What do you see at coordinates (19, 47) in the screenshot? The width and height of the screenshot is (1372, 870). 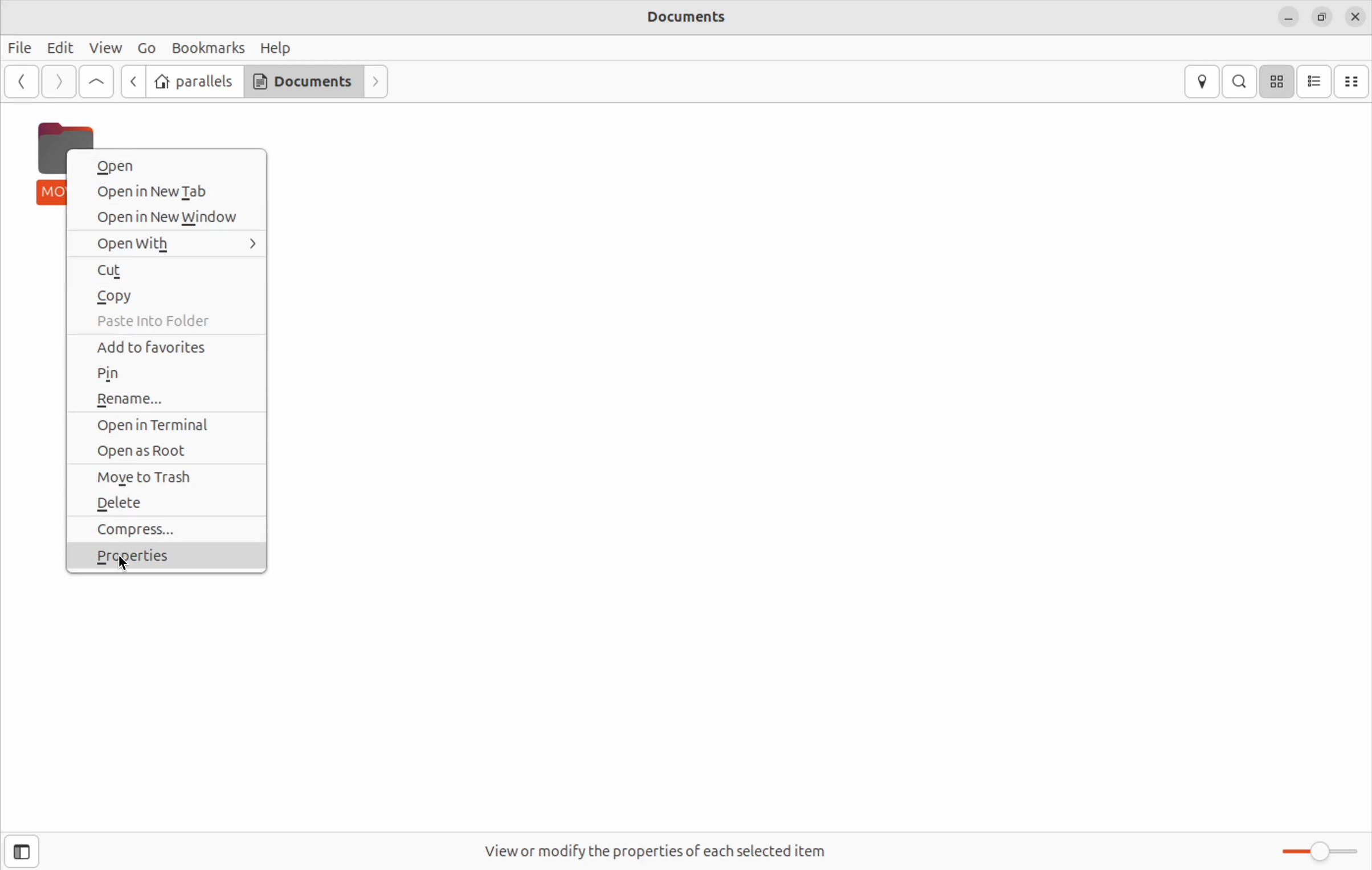 I see `File` at bounding box center [19, 47].